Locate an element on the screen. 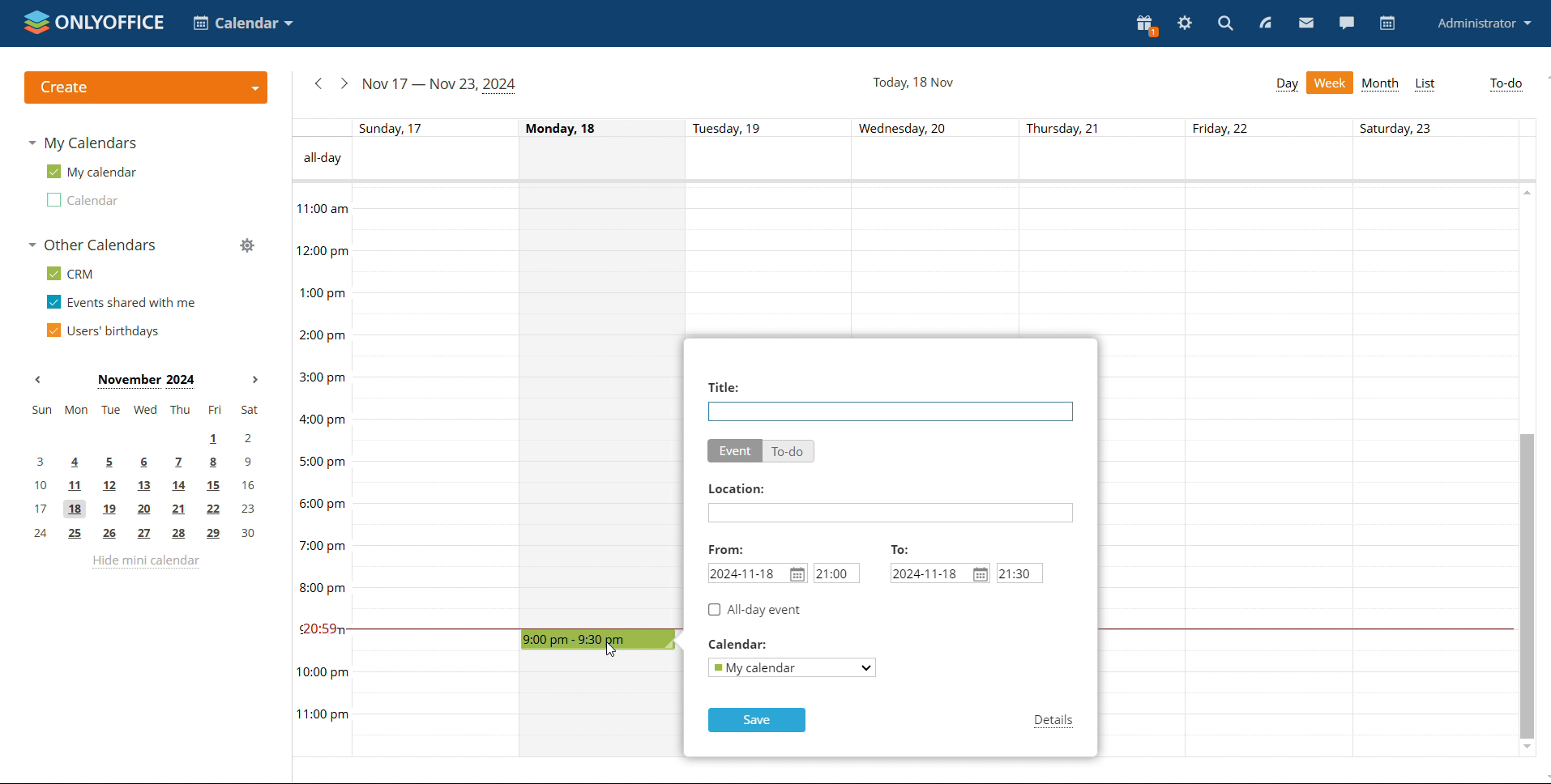  my calendar is located at coordinates (91, 172).